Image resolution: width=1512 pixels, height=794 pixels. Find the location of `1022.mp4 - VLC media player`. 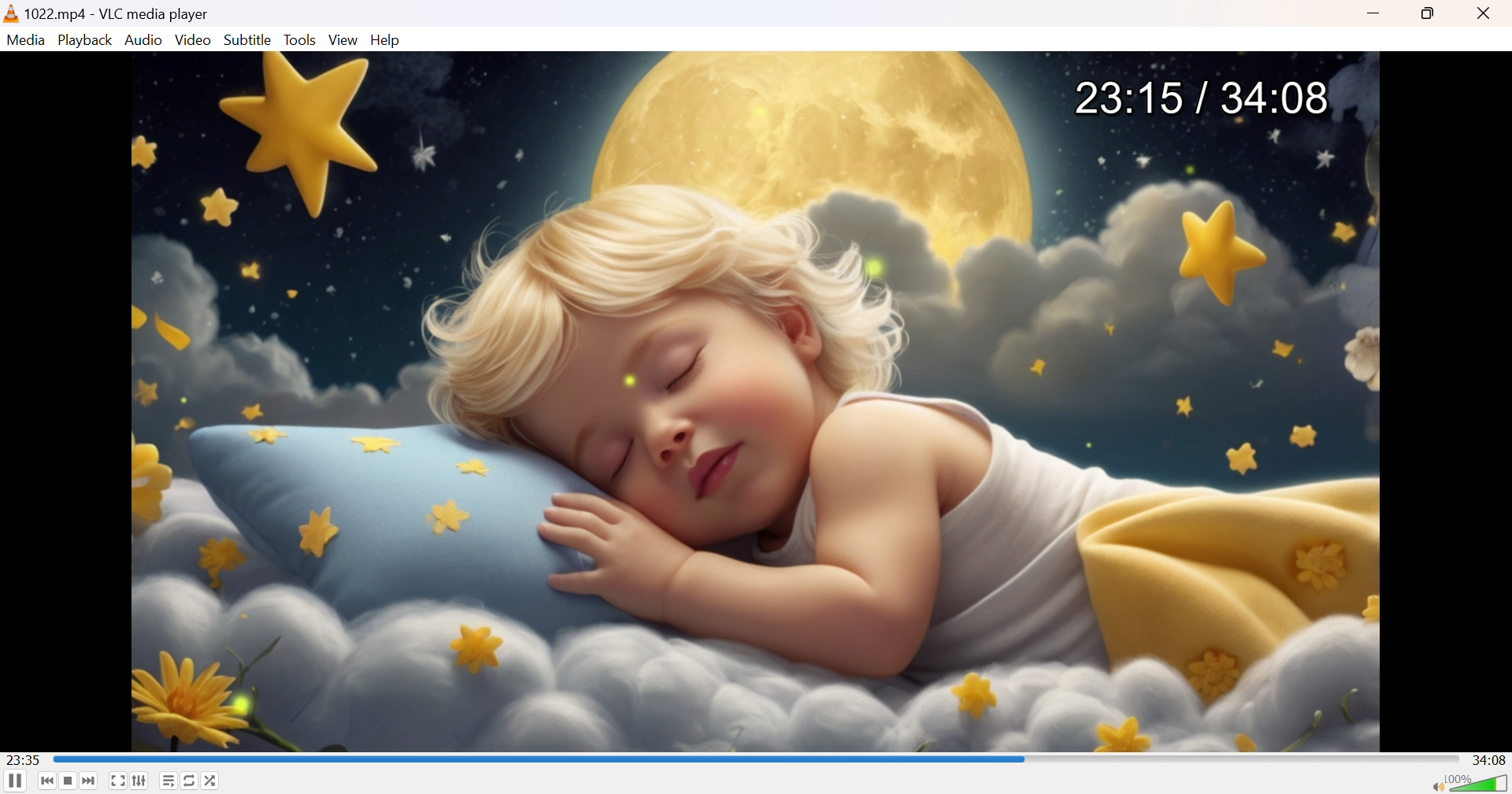

1022.mp4 - VLC media player is located at coordinates (107, 13).